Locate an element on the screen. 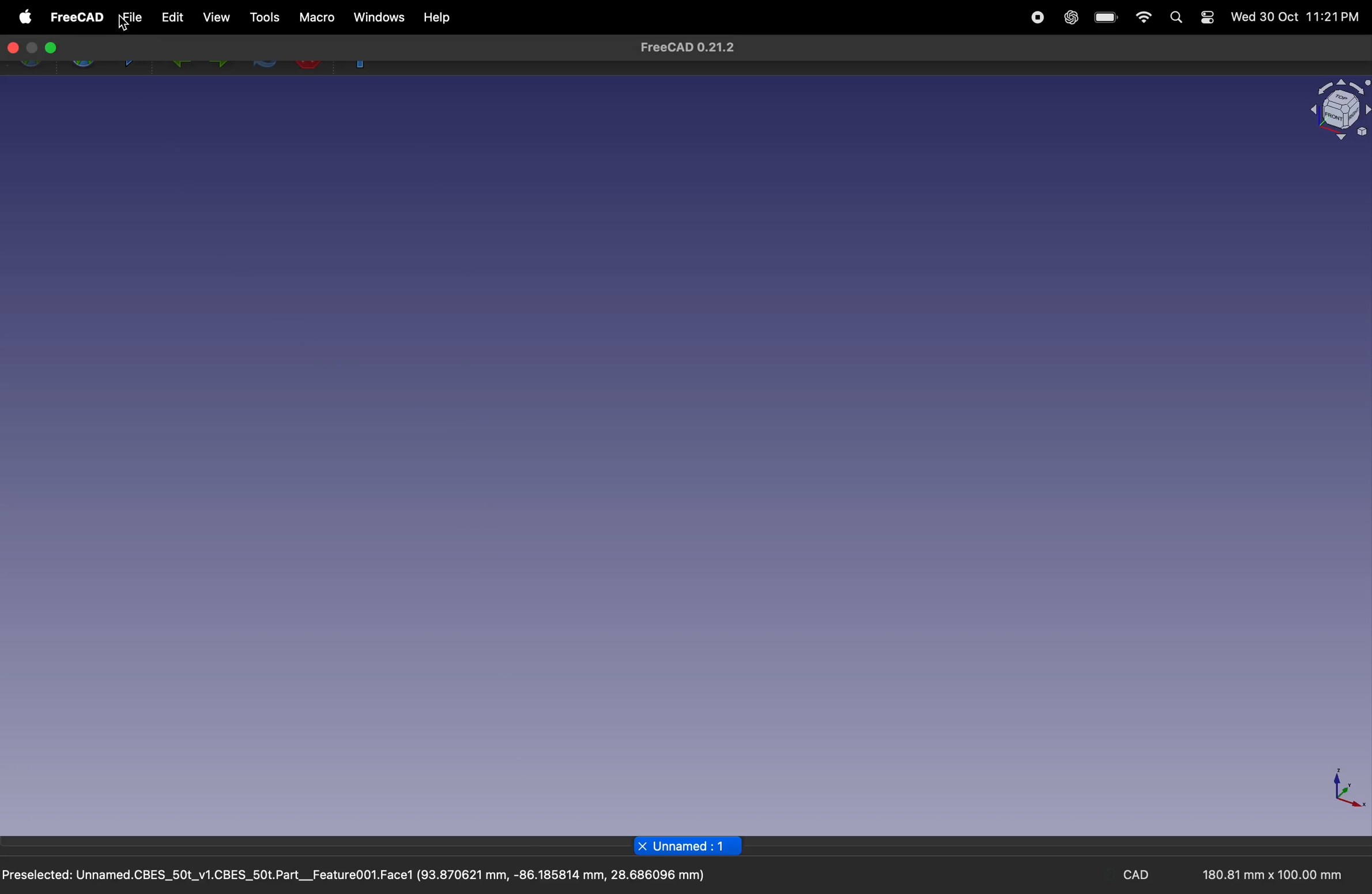 The image size is (1372, 894). record is located at coordinates (1037, 18).